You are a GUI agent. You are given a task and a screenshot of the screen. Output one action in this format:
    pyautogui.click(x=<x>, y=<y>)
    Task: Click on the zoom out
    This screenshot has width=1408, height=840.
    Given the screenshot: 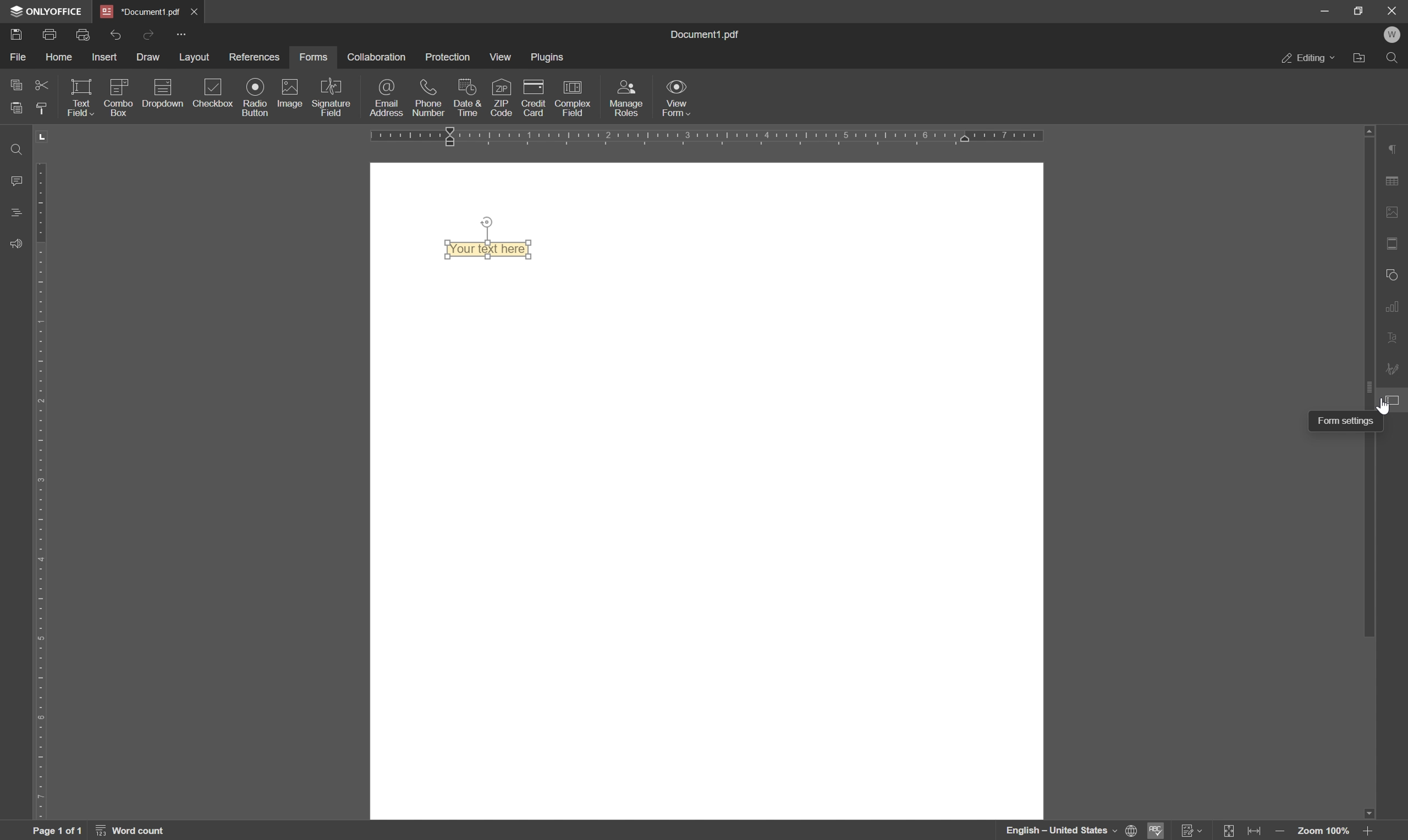 What is the action you would take?
    pyautogui.click(x=1281, y=832)
    